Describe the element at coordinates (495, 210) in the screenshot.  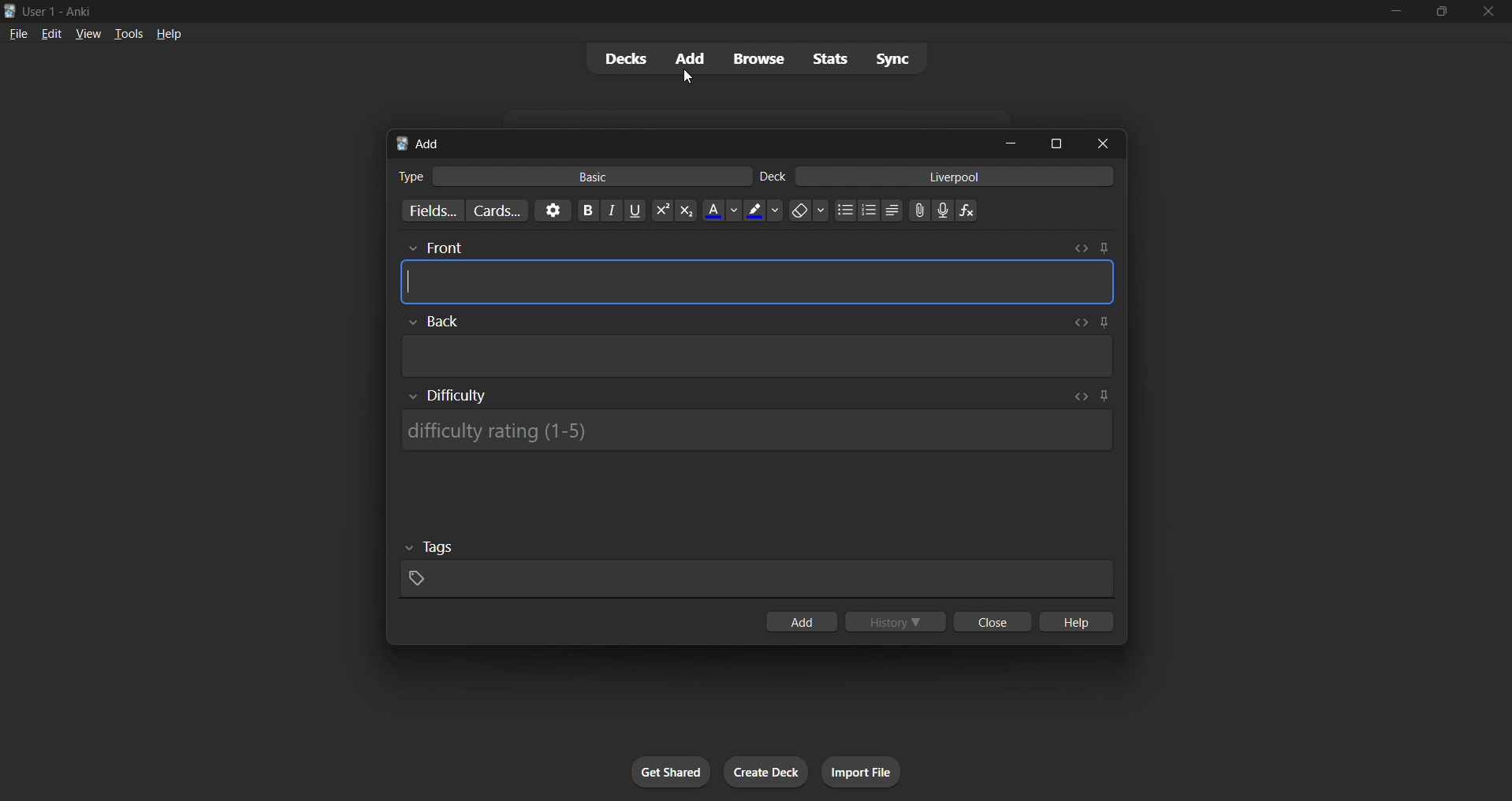
I see `customize card templates` at that location.